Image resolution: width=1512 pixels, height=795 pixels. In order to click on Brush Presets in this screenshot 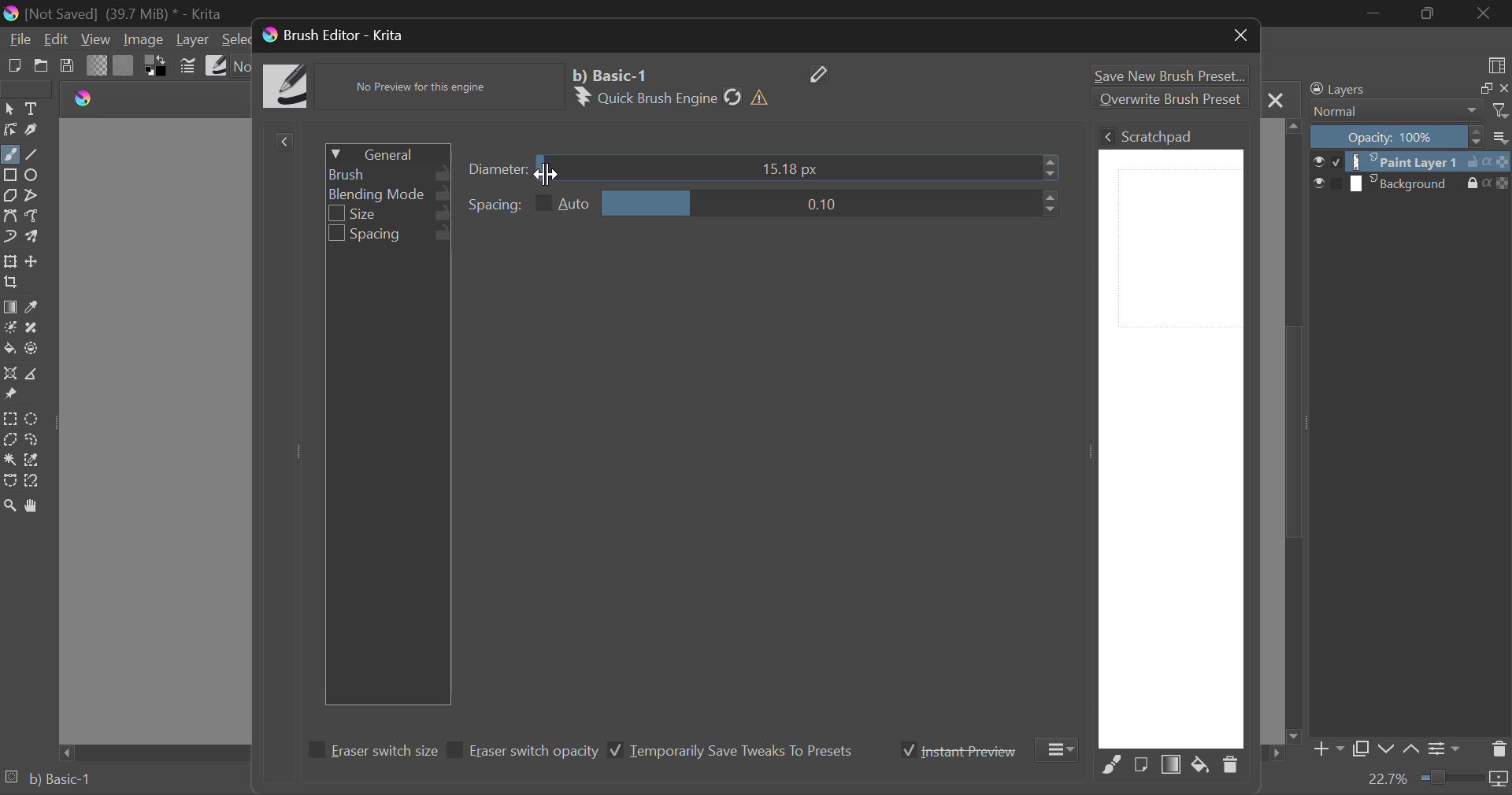, I will do `click(217, 66)`.